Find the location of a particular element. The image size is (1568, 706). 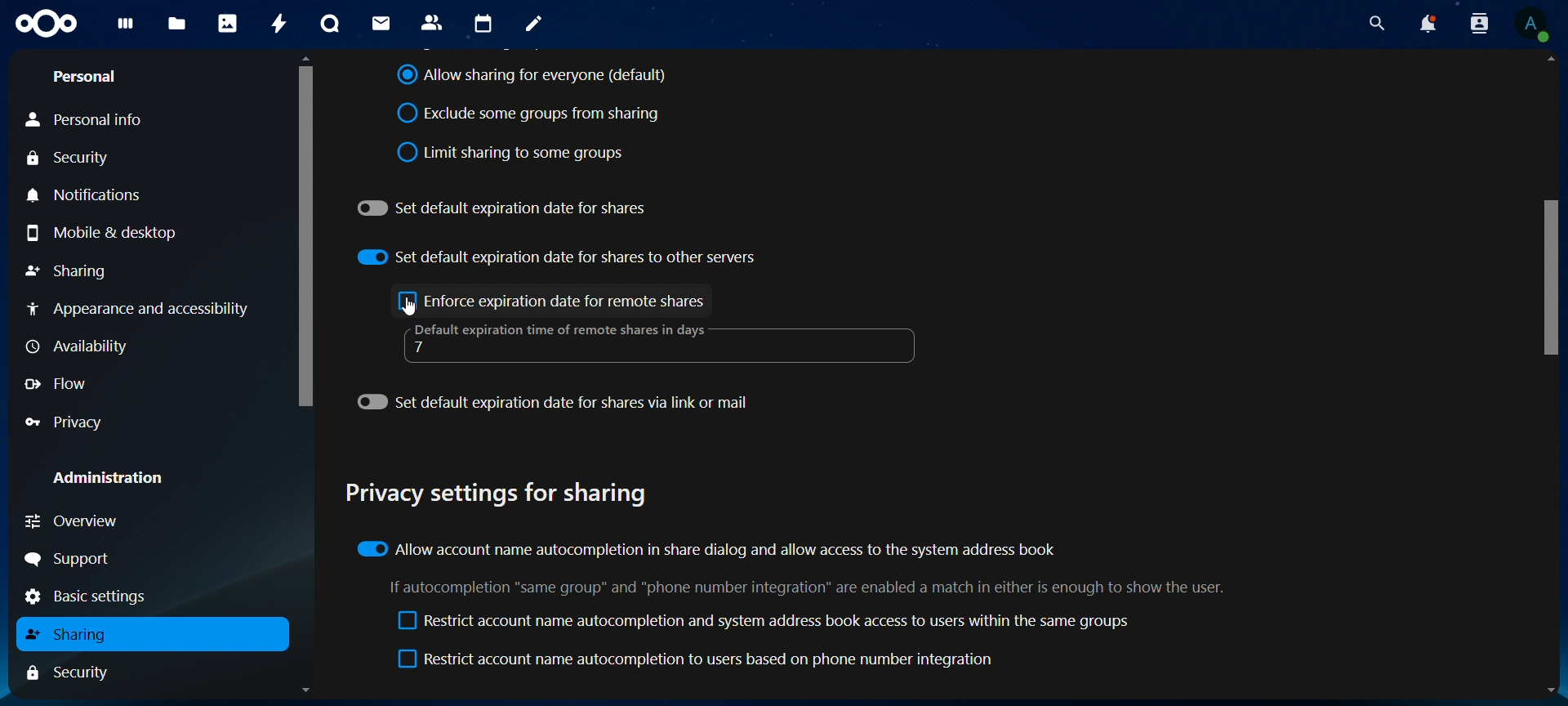

availability is located at coordinates (78, 346).